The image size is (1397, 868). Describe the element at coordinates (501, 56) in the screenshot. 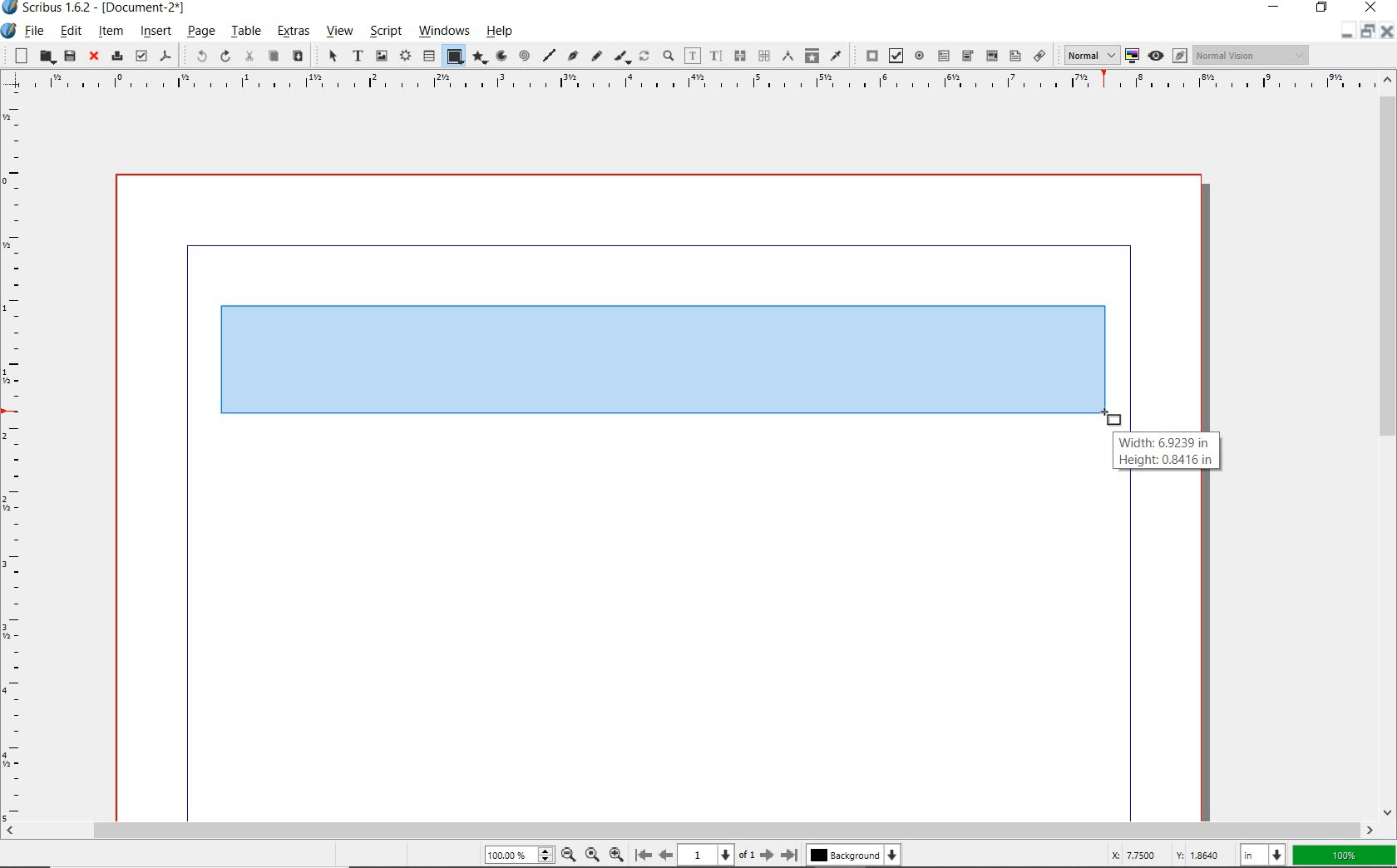

I see `arc` at that location.